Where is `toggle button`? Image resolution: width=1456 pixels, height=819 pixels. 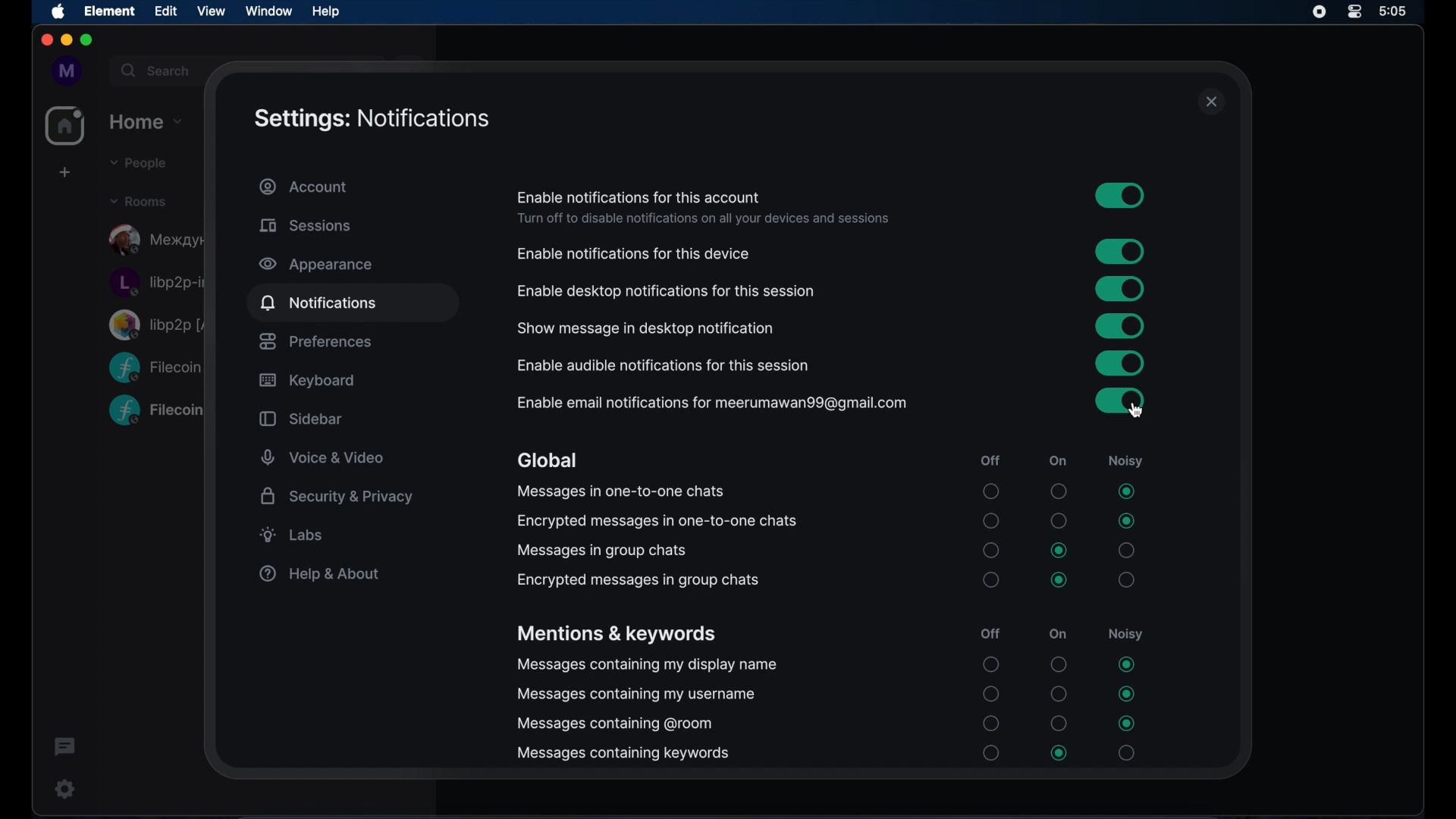
toggle button is located at coordinates (1120, 252).